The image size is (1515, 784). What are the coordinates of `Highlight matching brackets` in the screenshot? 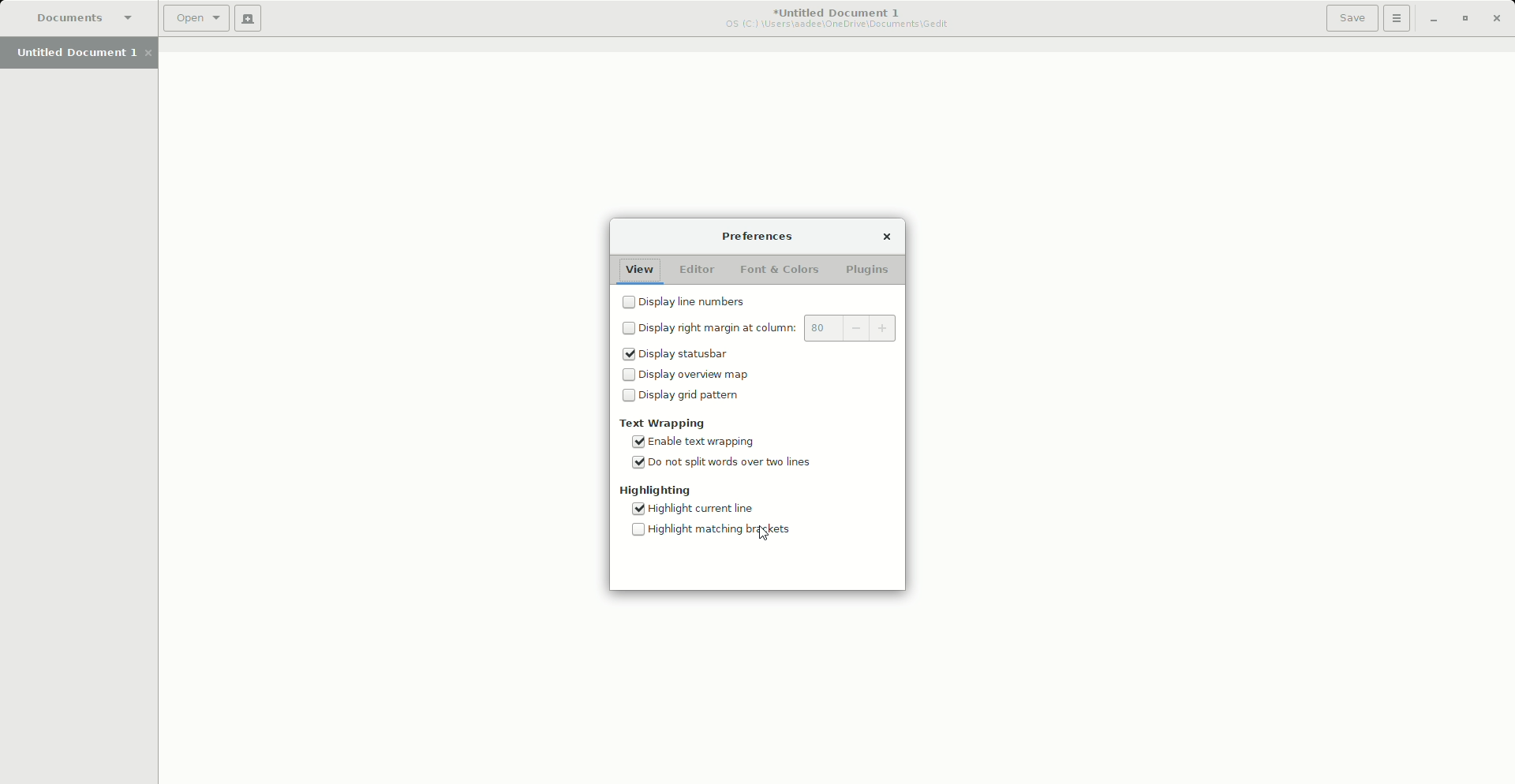 It's located at (712, 531).